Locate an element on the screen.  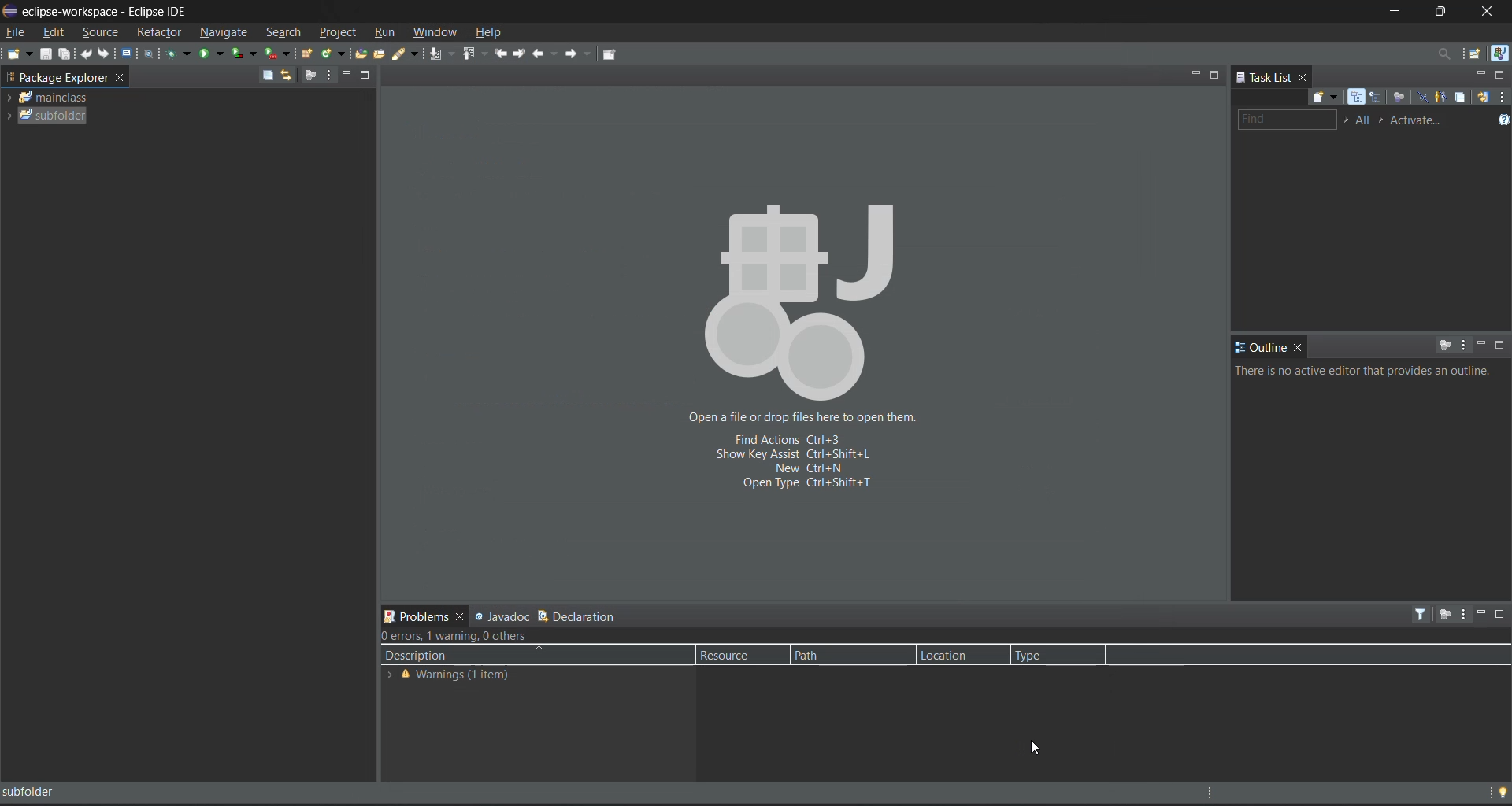
view menu is located at coordinates (328, 76).